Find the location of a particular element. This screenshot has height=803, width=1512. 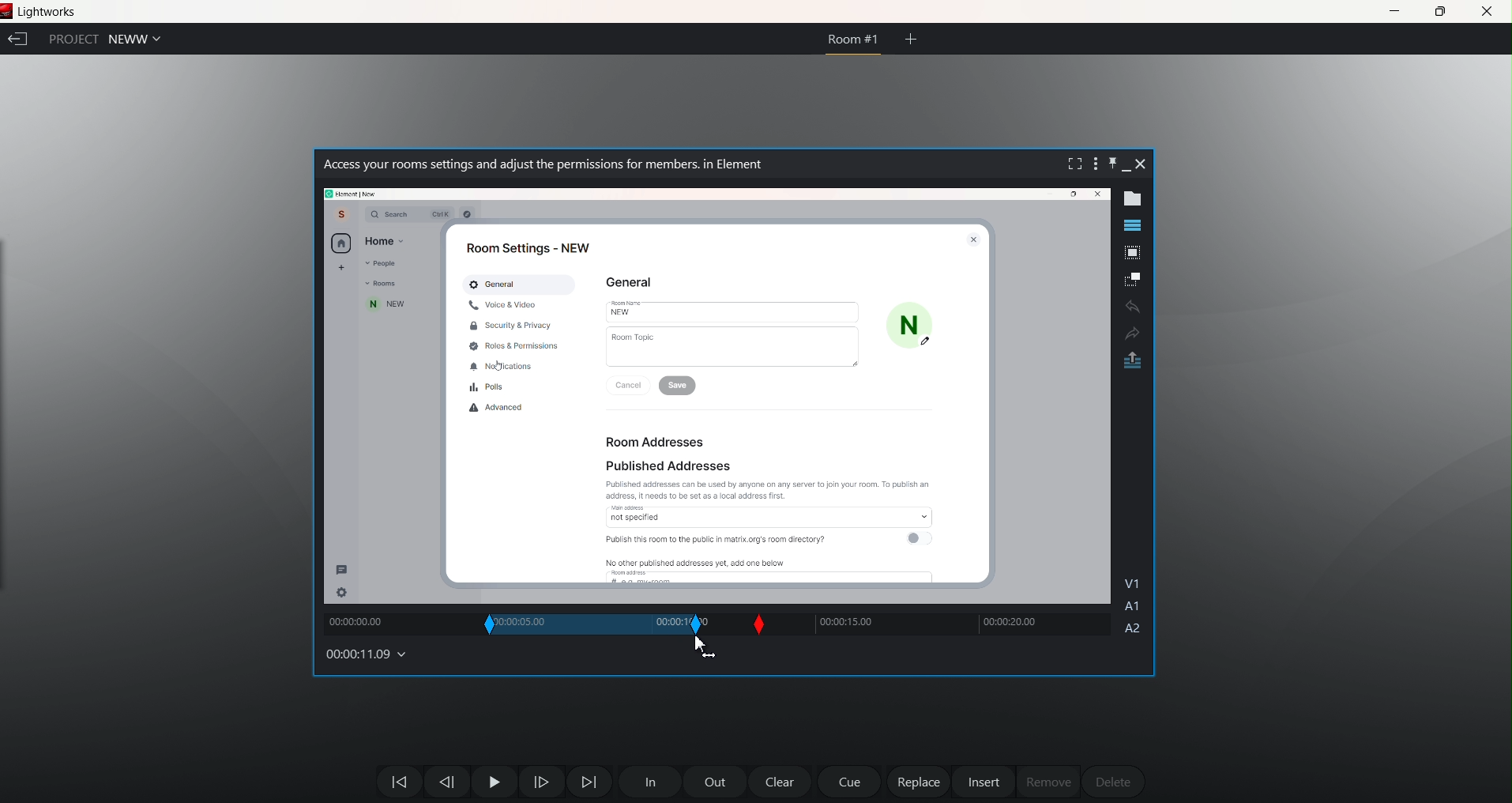

move backwards is located at coordinates (392, 778).